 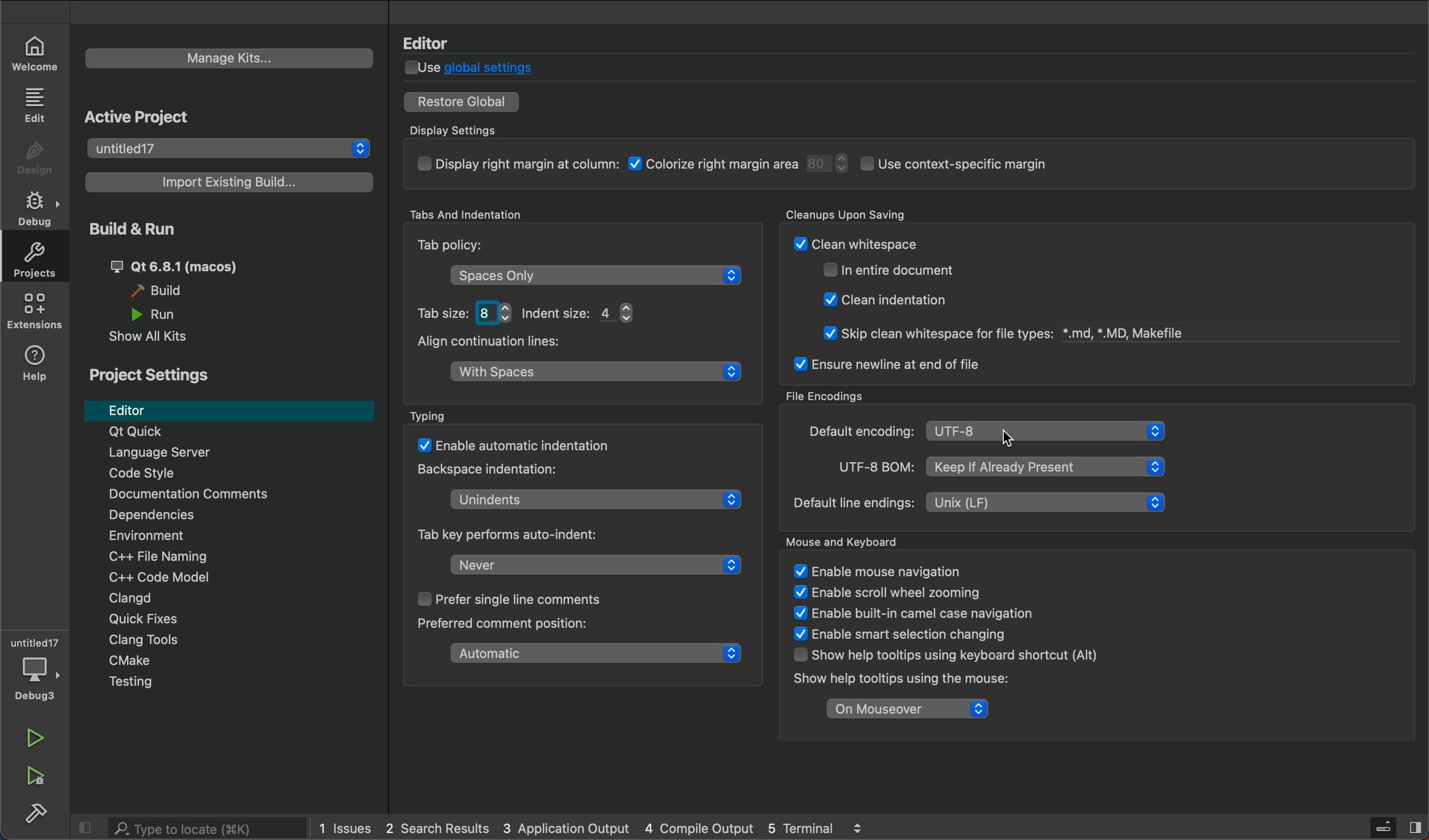 What do you see at coordinates (455, 247) in the screenshot?
I see `Tab Policy` at bounding box center [455, 247].